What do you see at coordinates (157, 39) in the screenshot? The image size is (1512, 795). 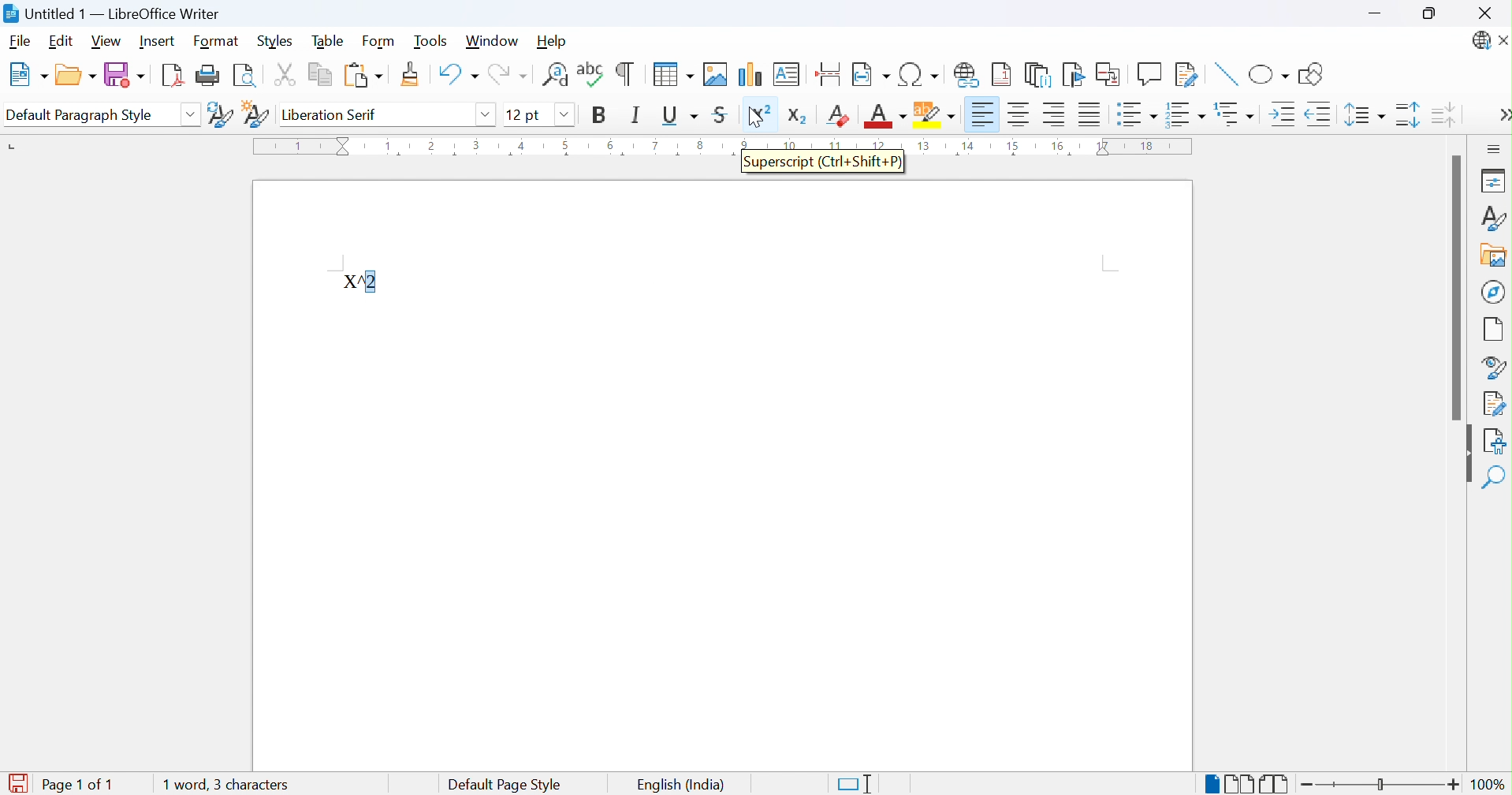 I see `Insert` at bounding box center [157, 39].